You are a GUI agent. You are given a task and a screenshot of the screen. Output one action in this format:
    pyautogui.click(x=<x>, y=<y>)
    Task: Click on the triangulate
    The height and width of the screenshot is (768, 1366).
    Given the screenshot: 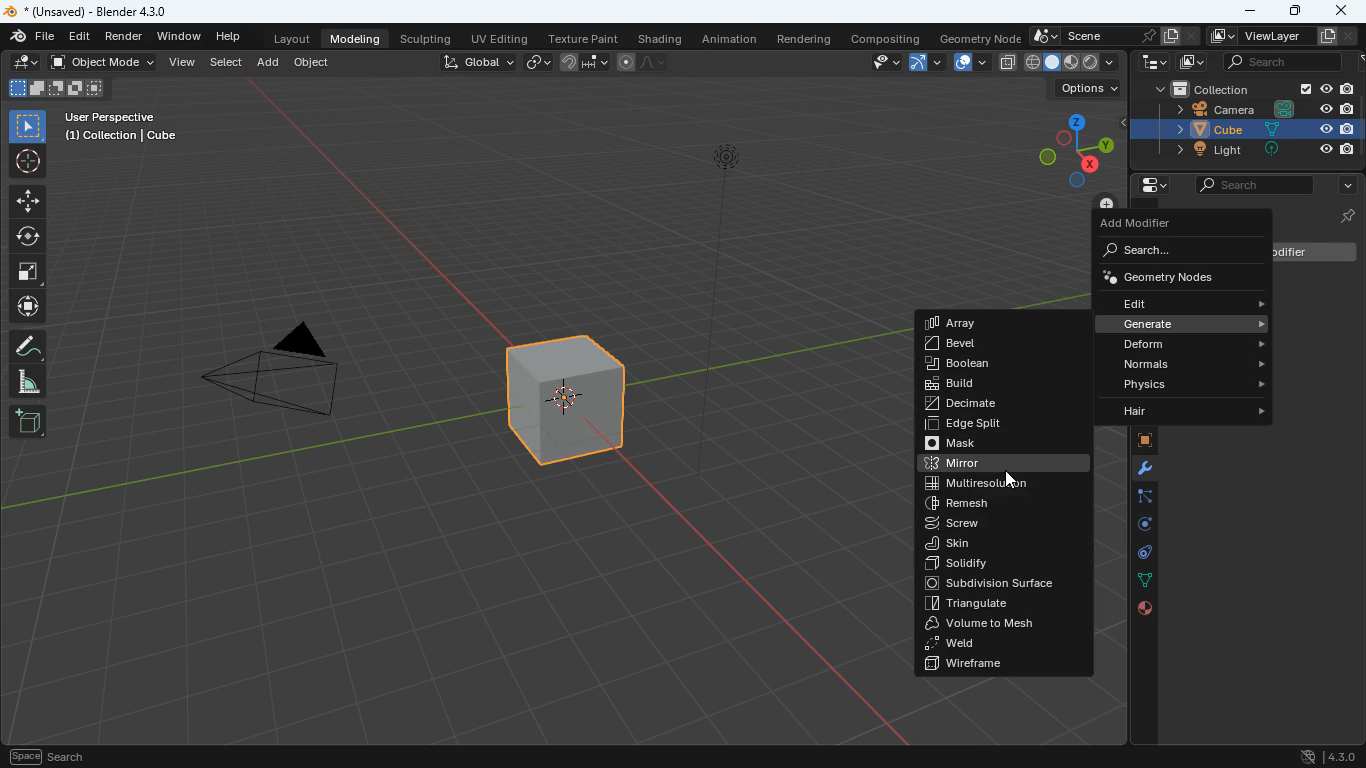 What is the action you would take?
    pyautogui.click(x=999, y=605)
    